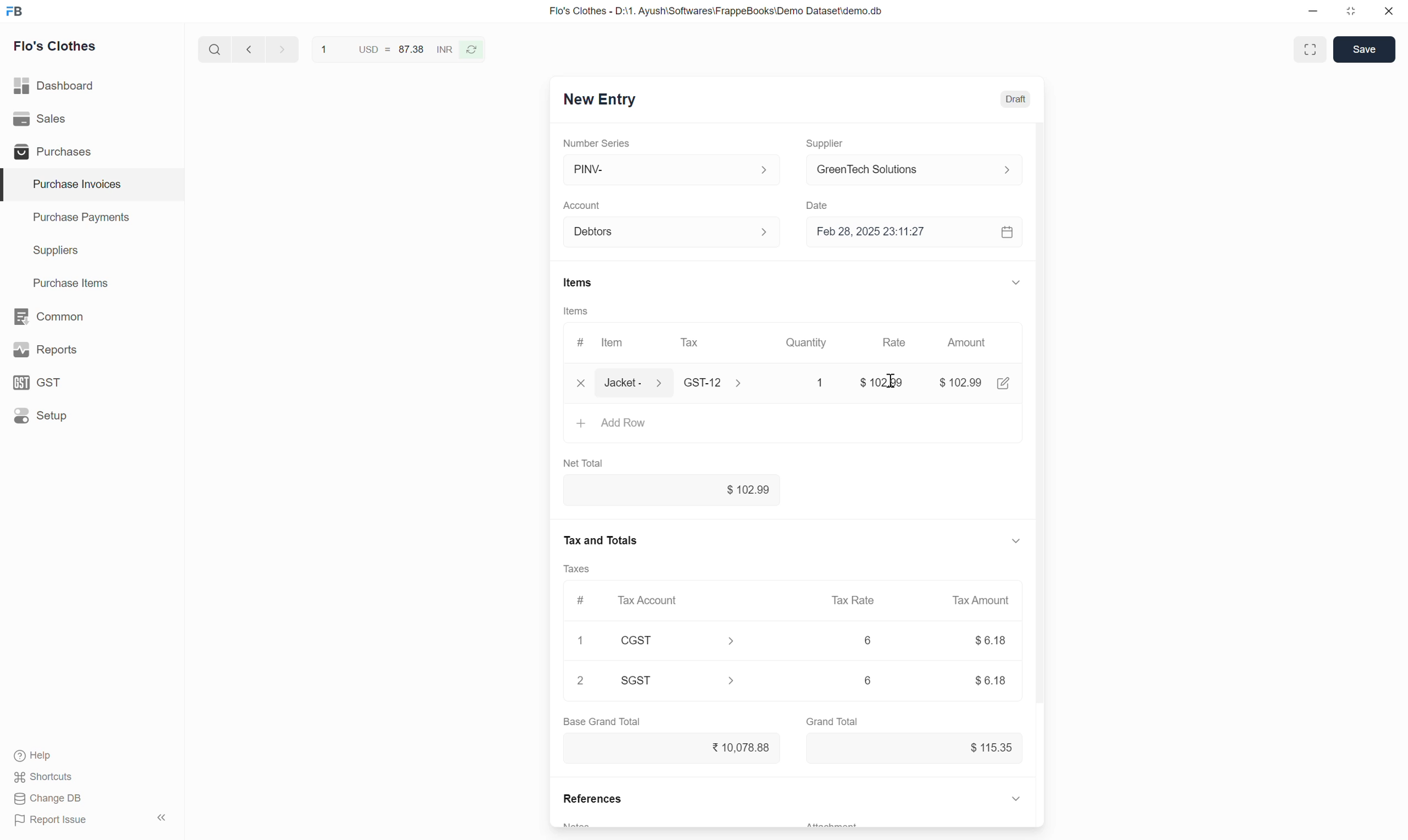  Describe the element at coordinates (604, 342) in the screenshot. I see `# Item` at that location.